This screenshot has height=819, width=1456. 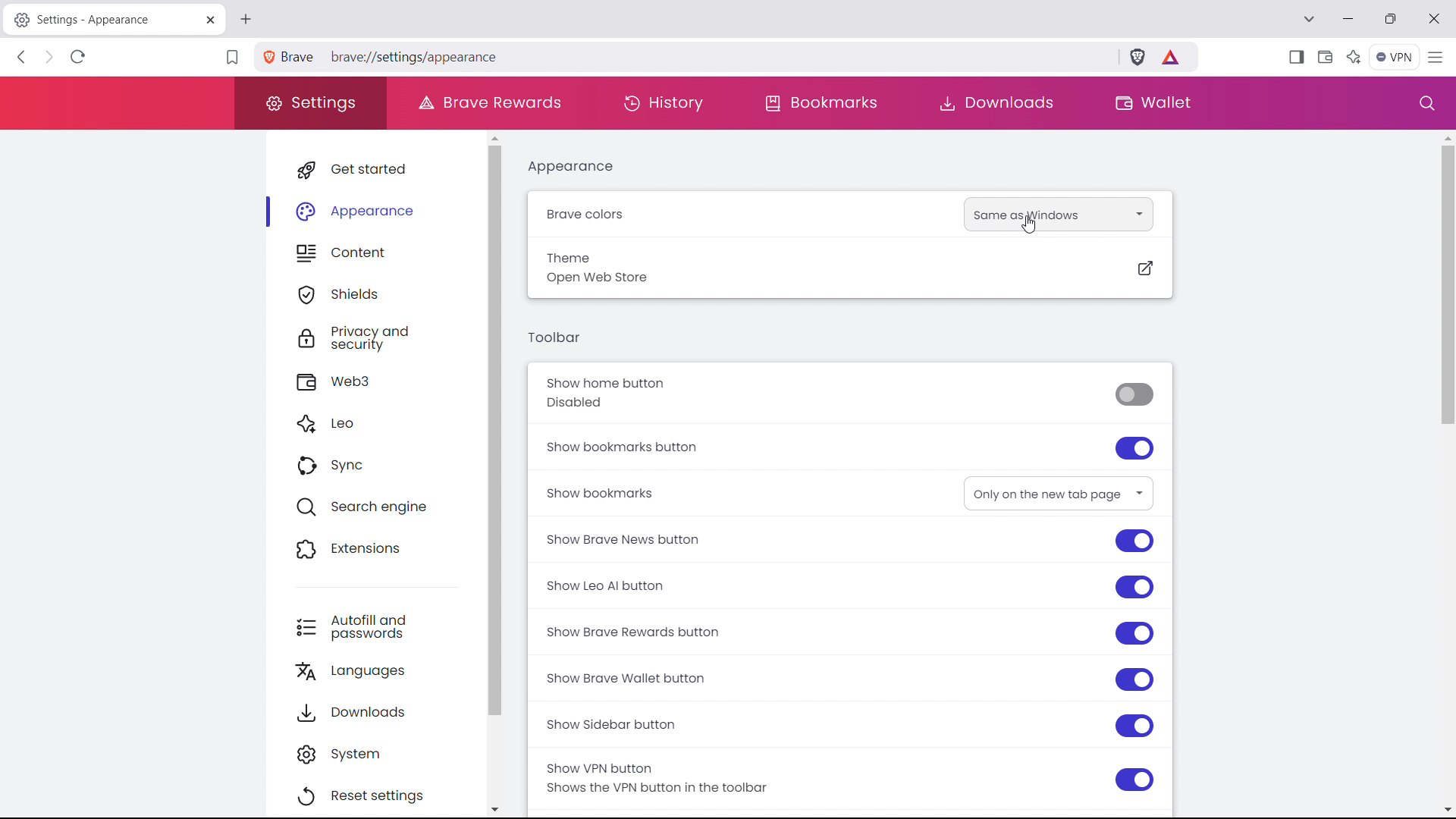 What do you see at coordinates (384, 465) in the screenshot?
I see `sync` at bounding box center [384, 465].